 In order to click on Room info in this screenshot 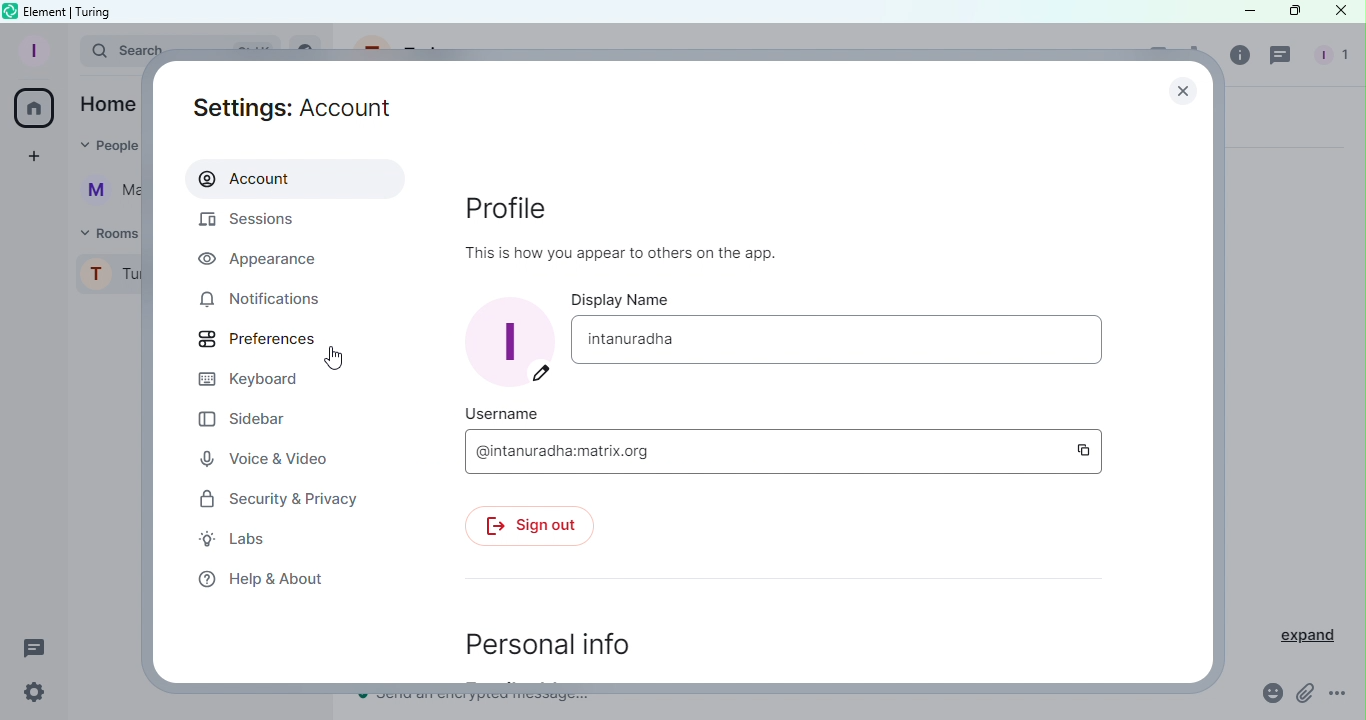, I will do `click(1241, 60)`.